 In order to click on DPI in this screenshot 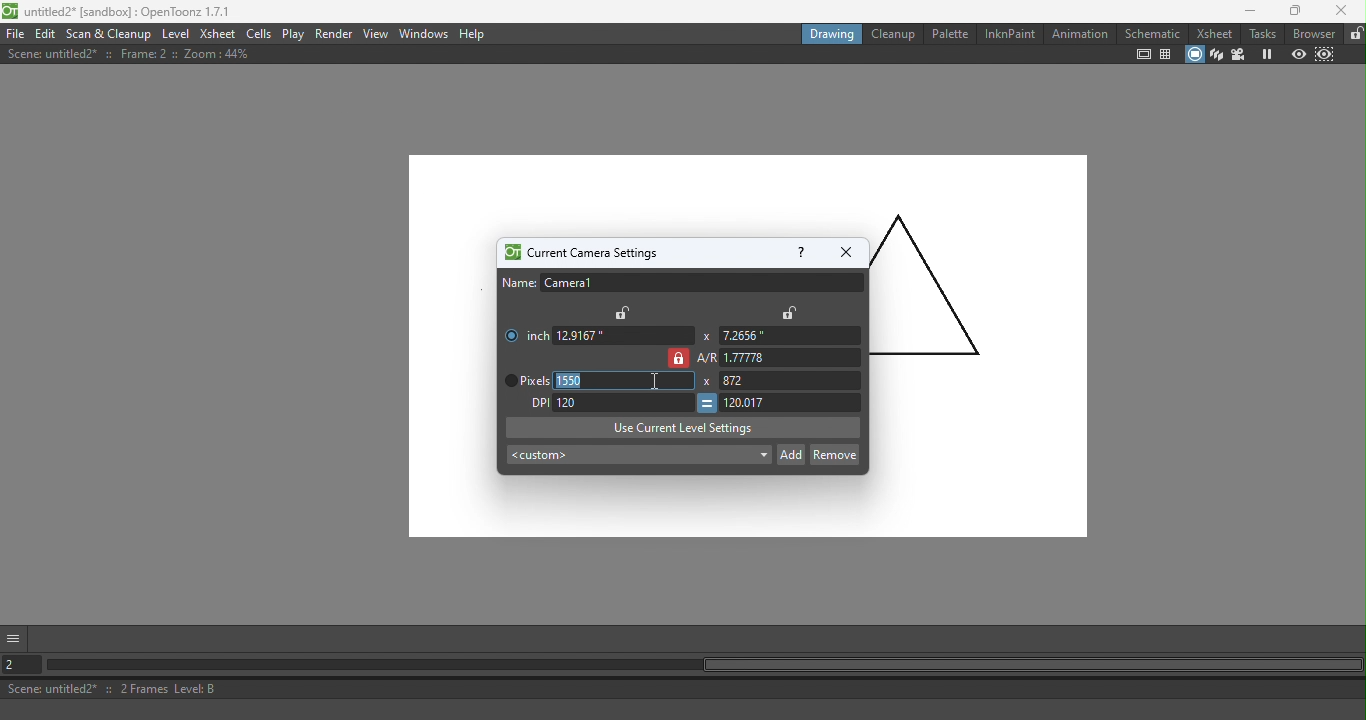, I will do `click(534, 403)`.